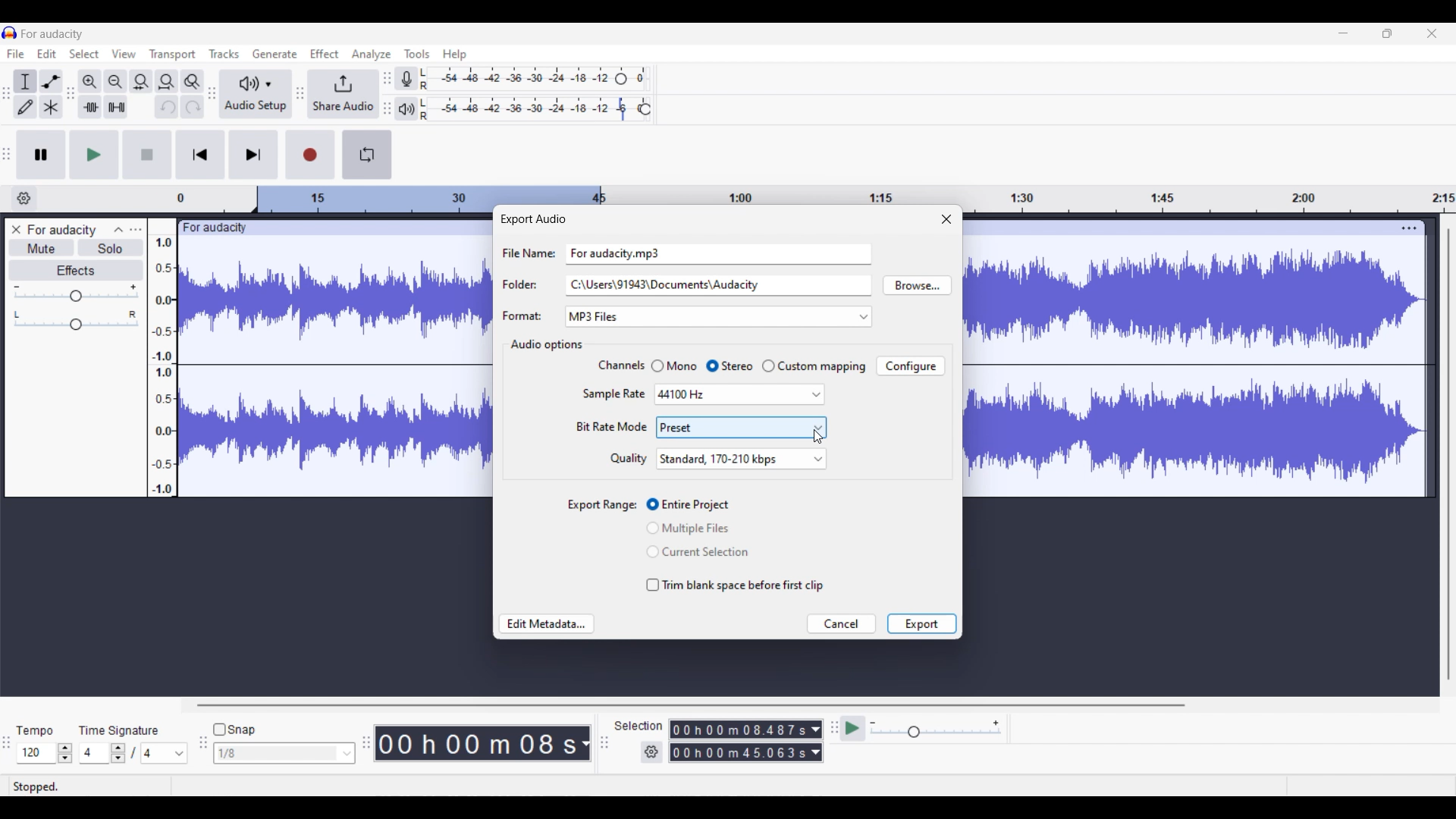 The width and height of the screenshot is (1456, 819). I want to click on Format options to choose from, so click(748, 317).